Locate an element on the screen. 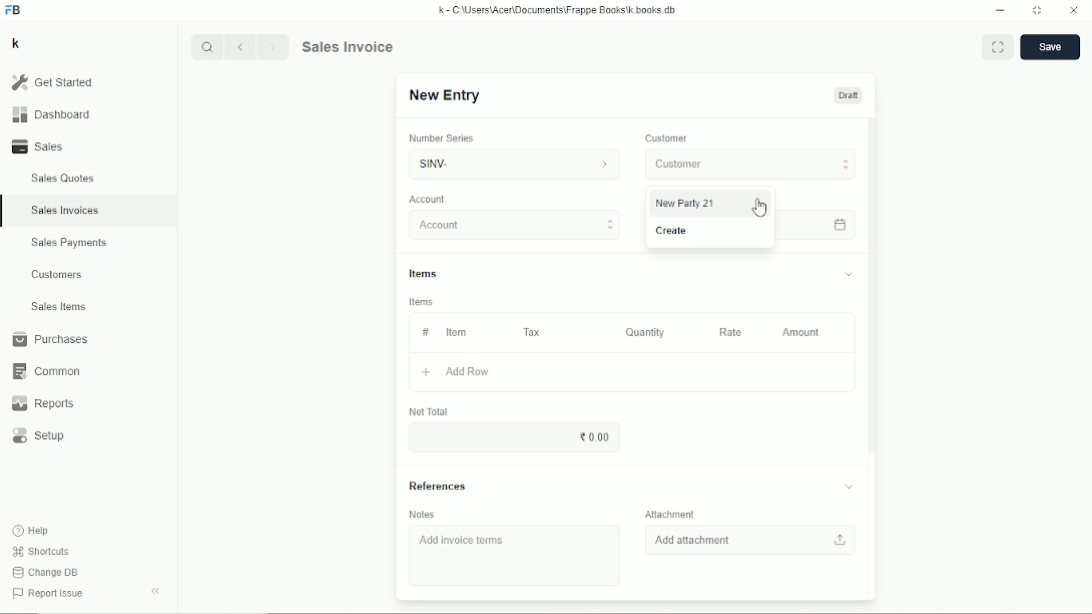 The height and width of the screenshot is (614, 1092). Add row is located at coordinates (455, 373).